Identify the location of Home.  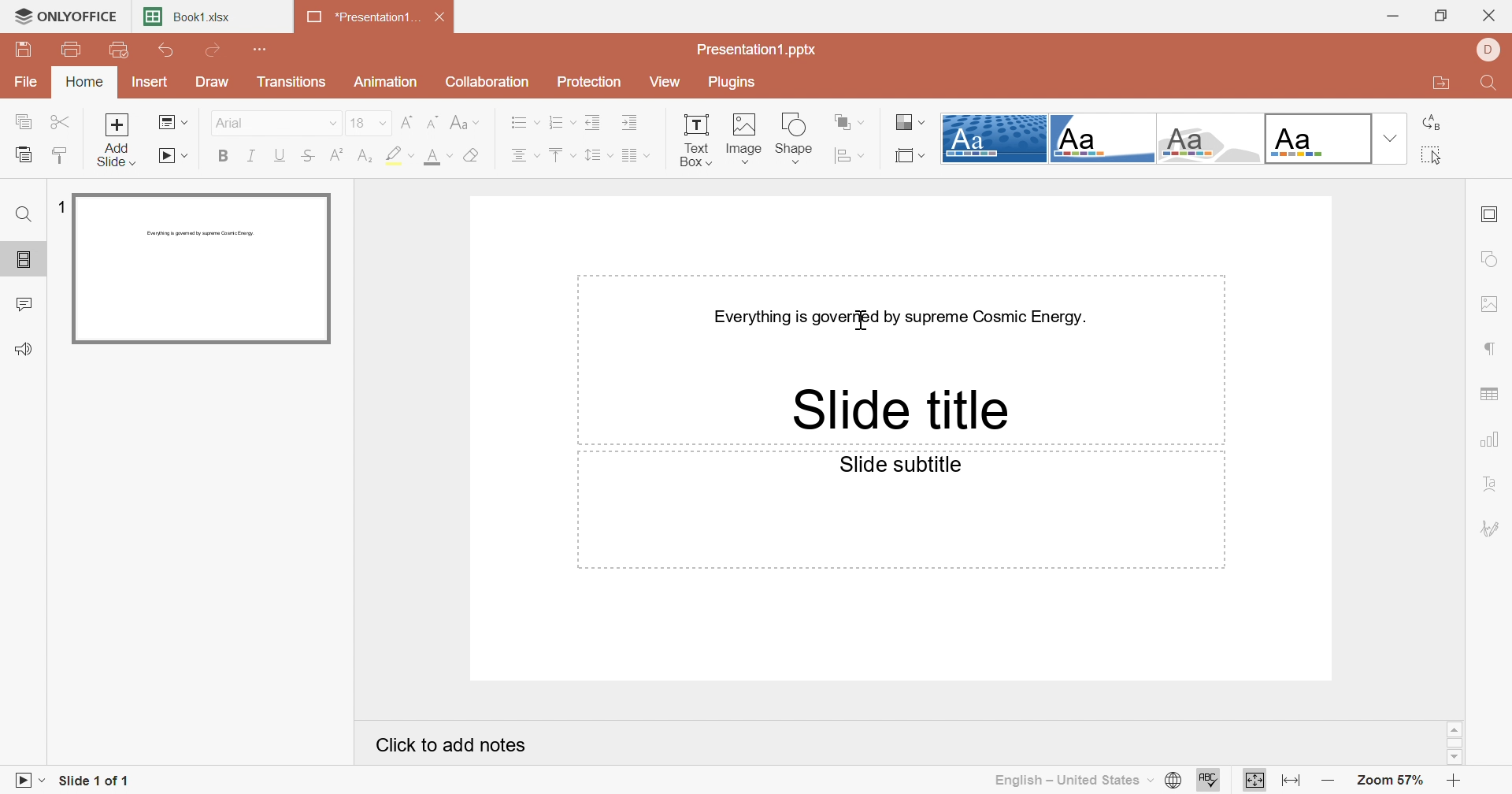
(86, 82).